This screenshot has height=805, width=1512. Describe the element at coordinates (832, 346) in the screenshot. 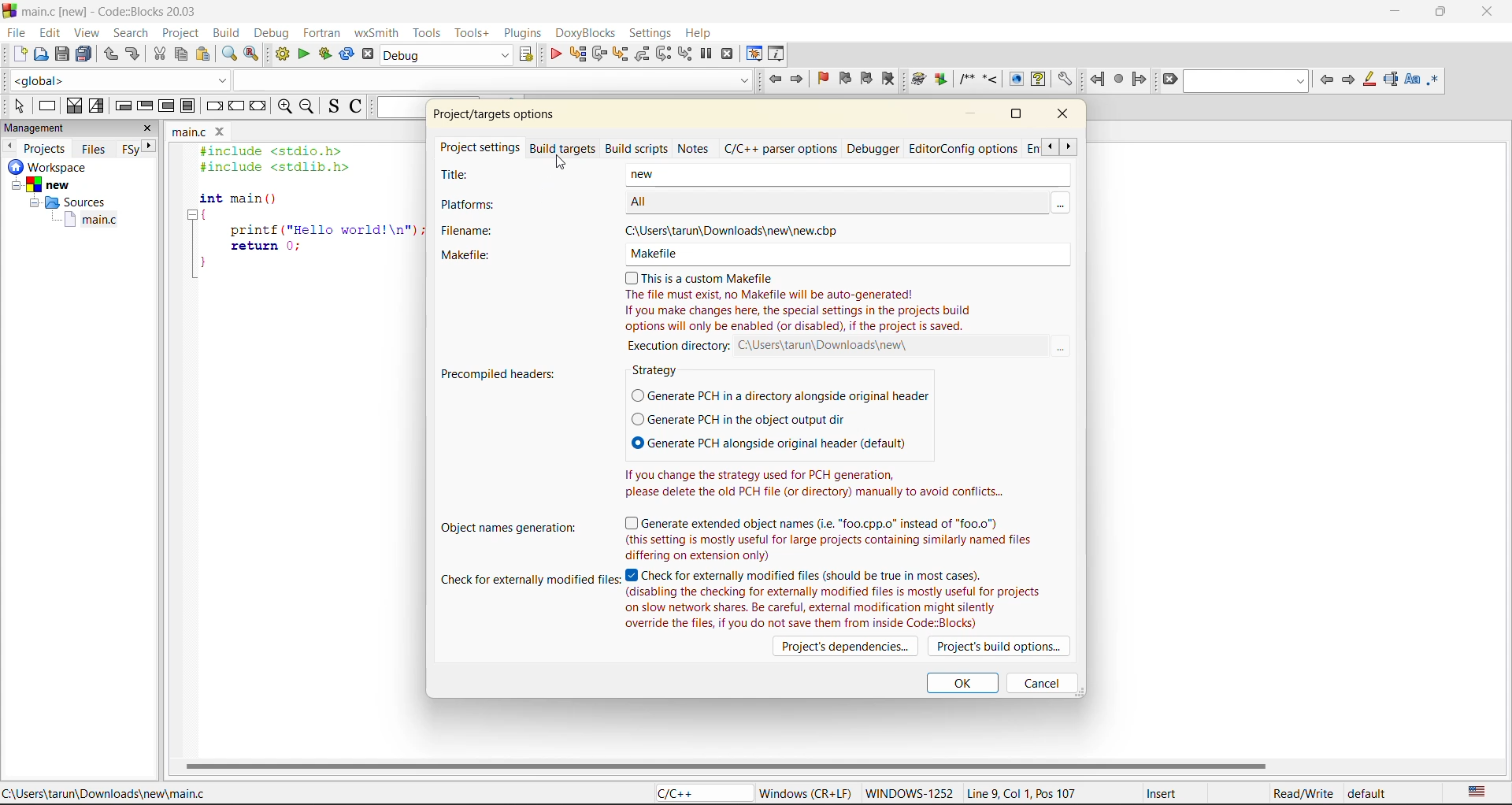

I see `C\Users\tarun\Downloads\new\` at that location.